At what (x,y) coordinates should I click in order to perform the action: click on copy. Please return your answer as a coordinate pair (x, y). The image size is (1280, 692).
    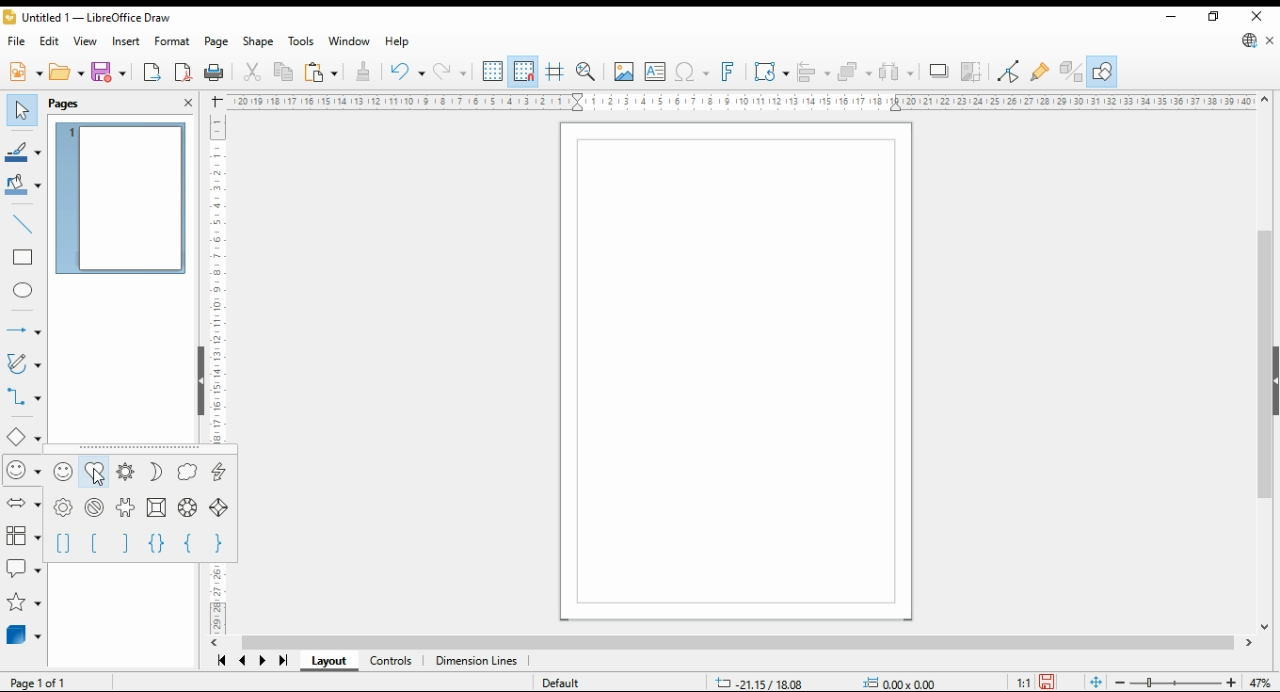
    Looking at the image, I should click on (283, 73).